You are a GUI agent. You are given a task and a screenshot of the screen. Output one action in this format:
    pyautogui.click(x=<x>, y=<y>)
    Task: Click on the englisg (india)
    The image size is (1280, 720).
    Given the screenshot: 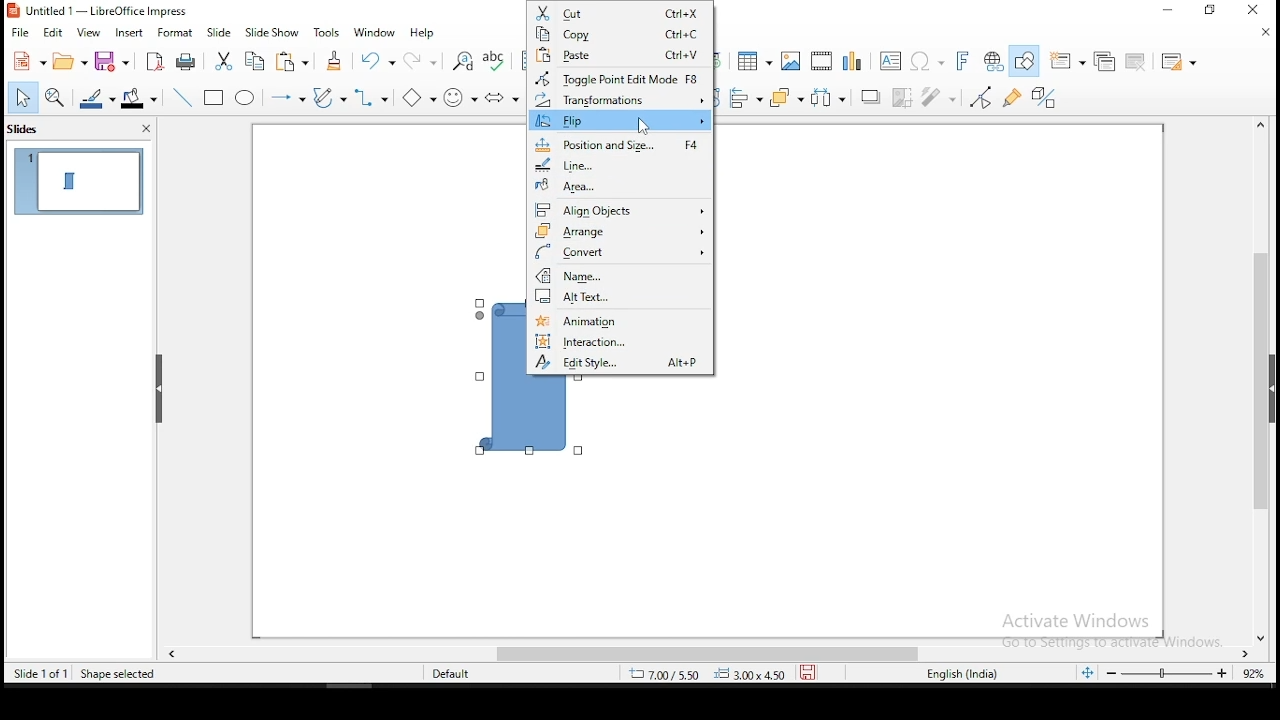 What is the action you would take?
    pyautogui.click(x=953, y=673)
    